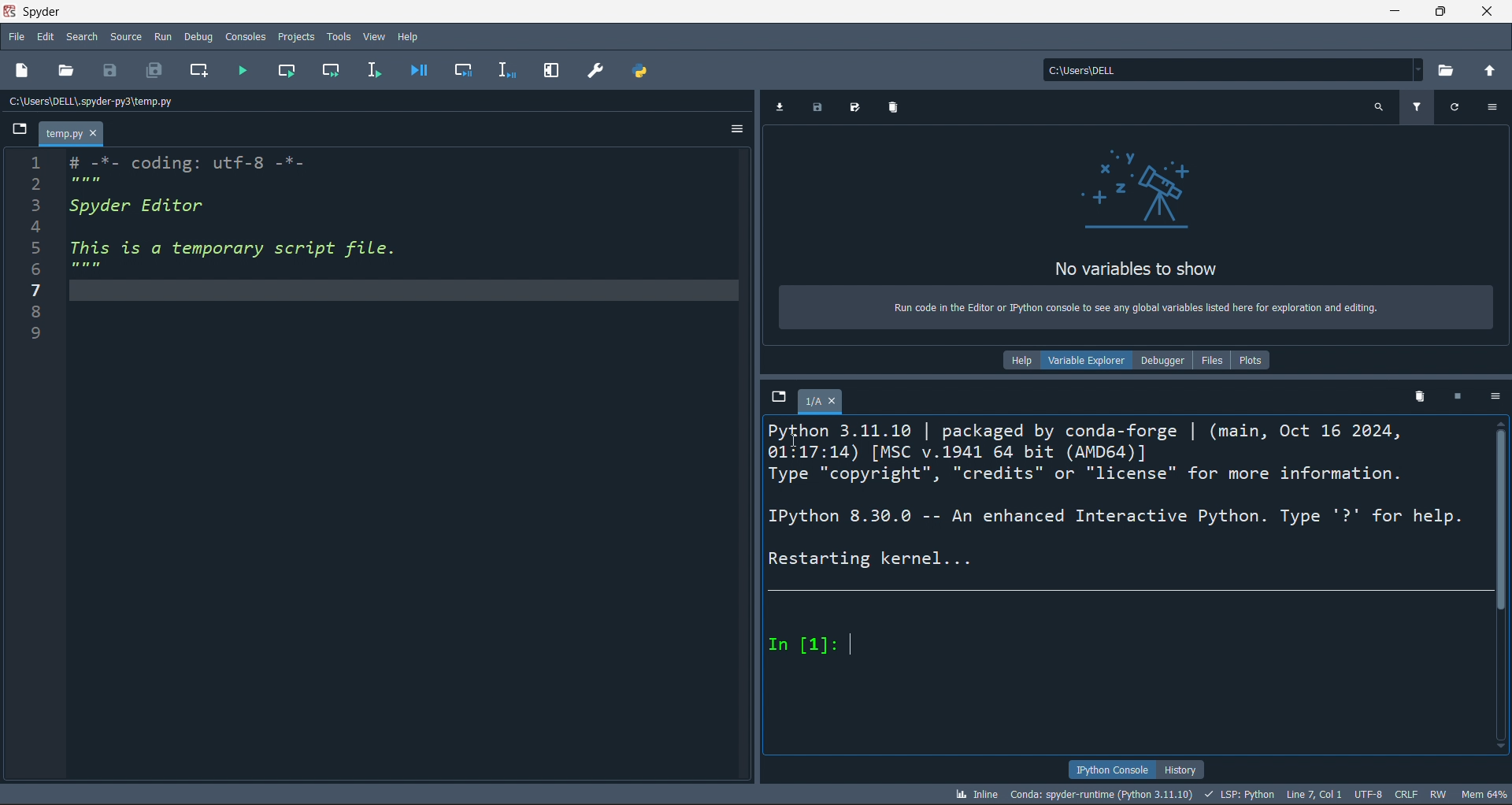  What do you see at coordinates (1450, 72) in the screenshot?
I see `open directory` at bounding box center [1450, 72].